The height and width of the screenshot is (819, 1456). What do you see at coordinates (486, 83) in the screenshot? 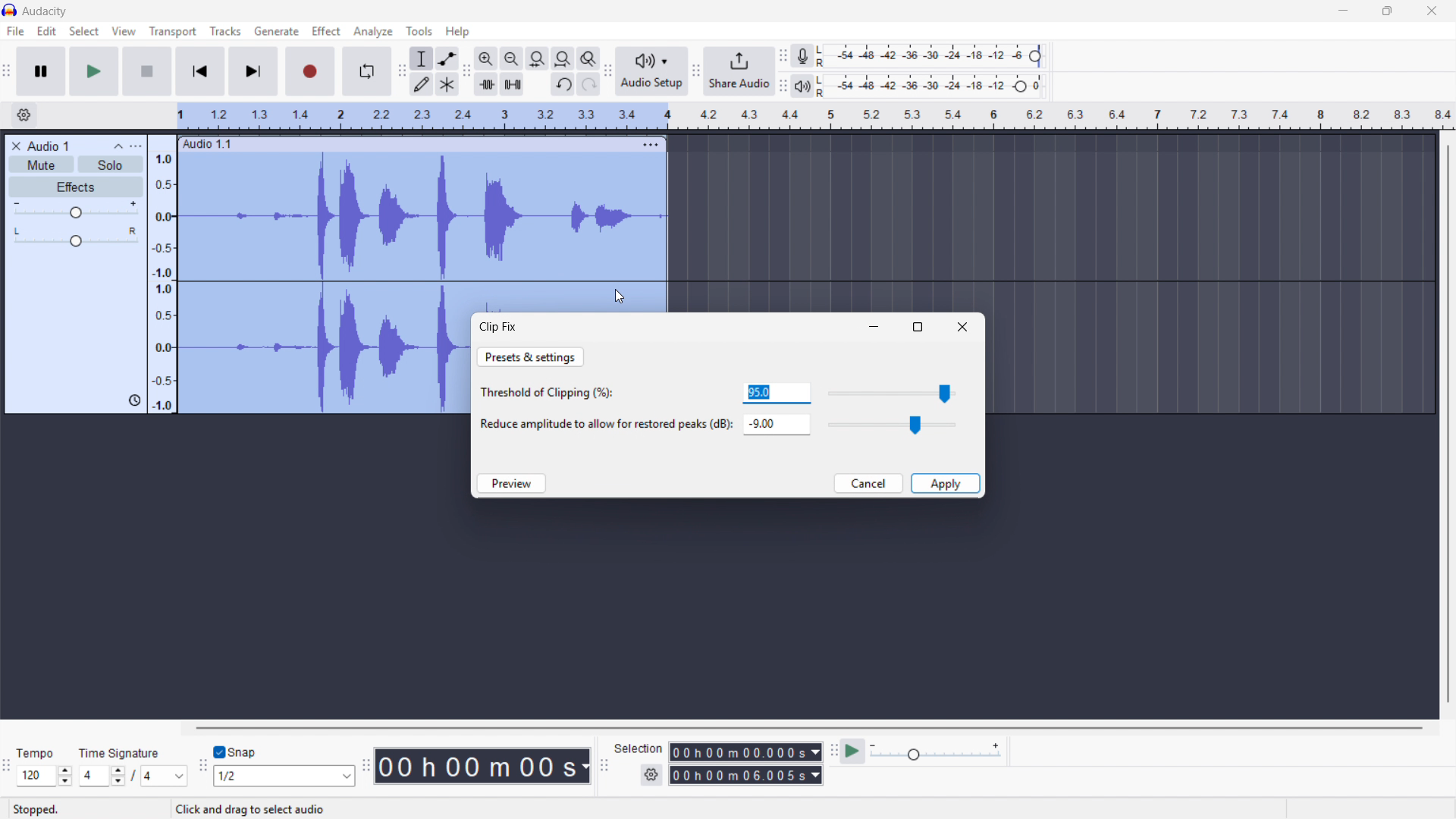
I see `Trim audio outside selection` at bounding box center [486, 83].